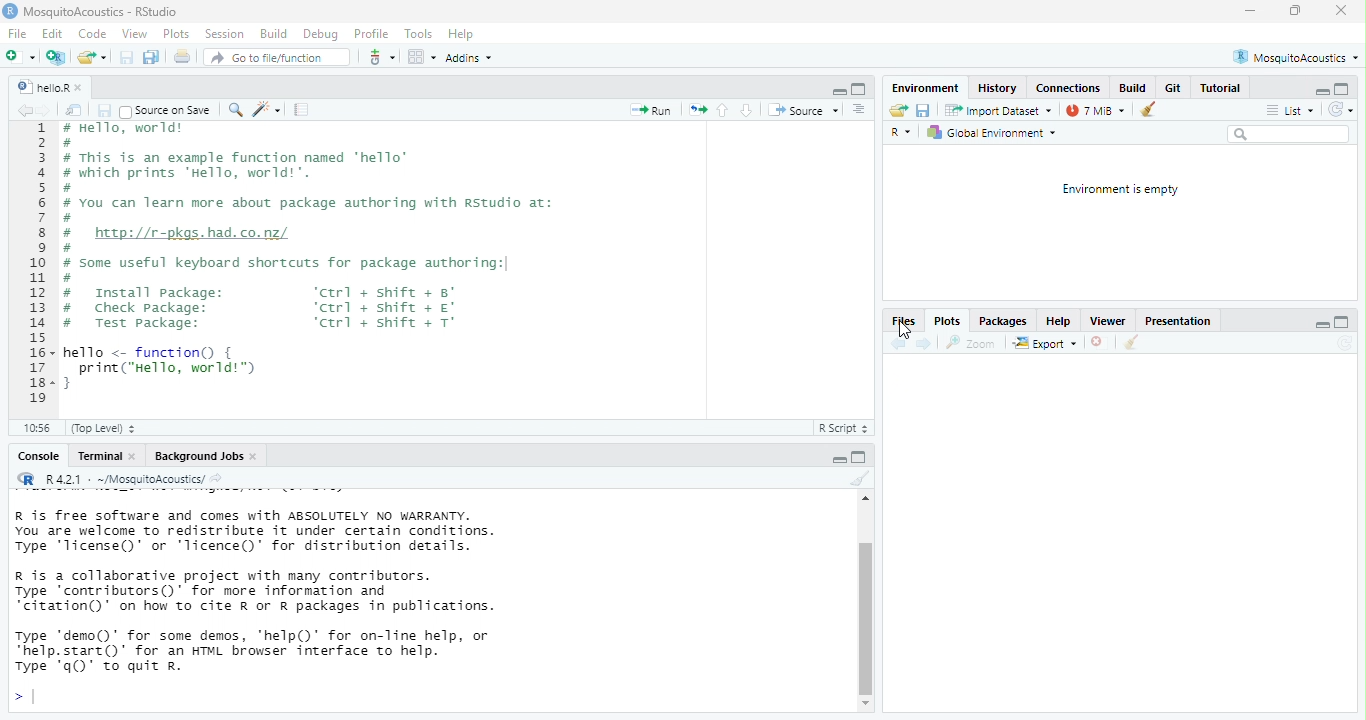  I want to click on +
2
3
4
5
6
7
8
9

10
11
12
13
14
15
16
17
18
19, so click(34, 268).